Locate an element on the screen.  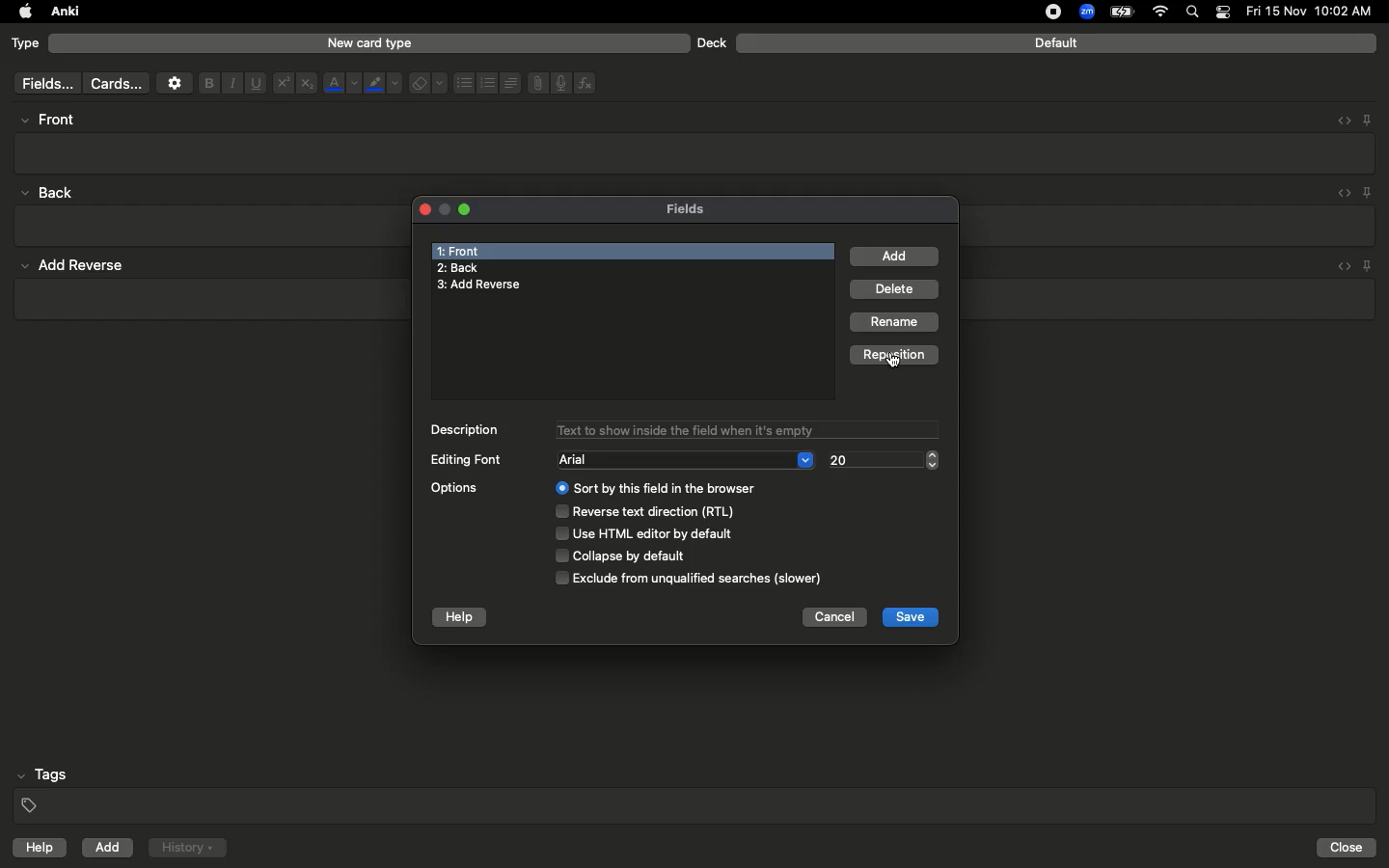
Anki is located at coordinates (64, 13).